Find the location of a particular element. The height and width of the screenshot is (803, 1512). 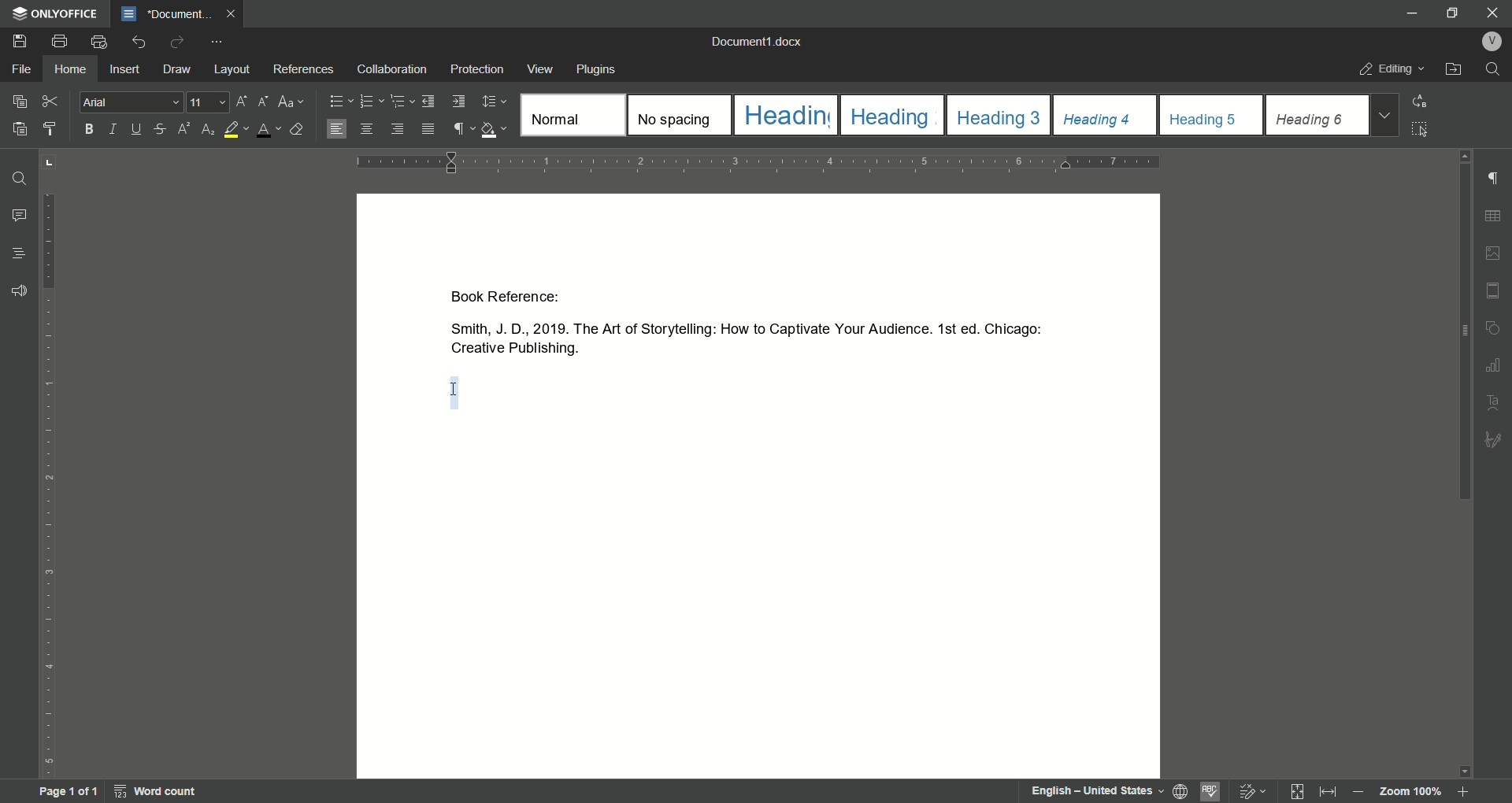

file is located at coordinates (21, 68).